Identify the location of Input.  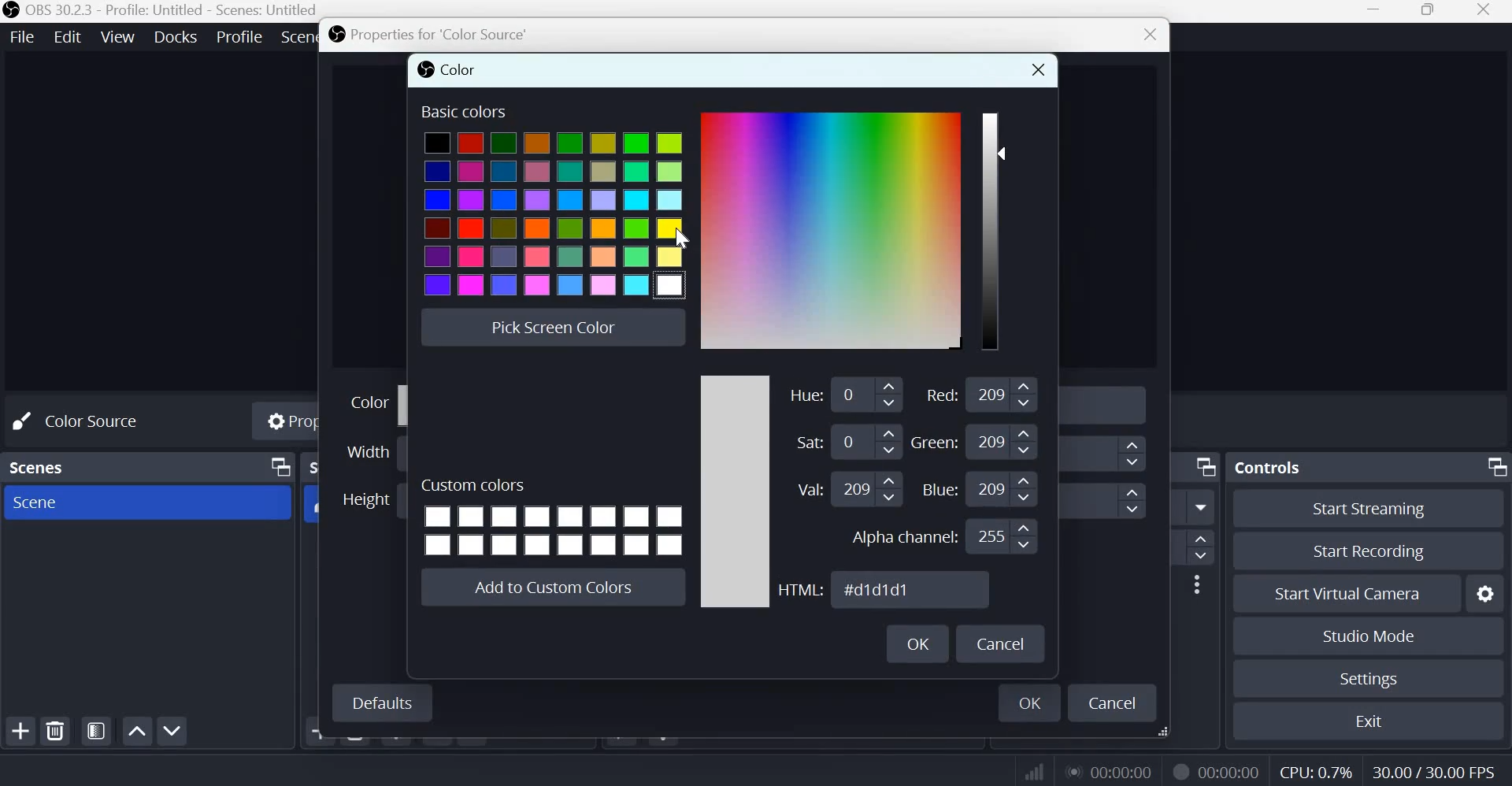
(1002, 395).